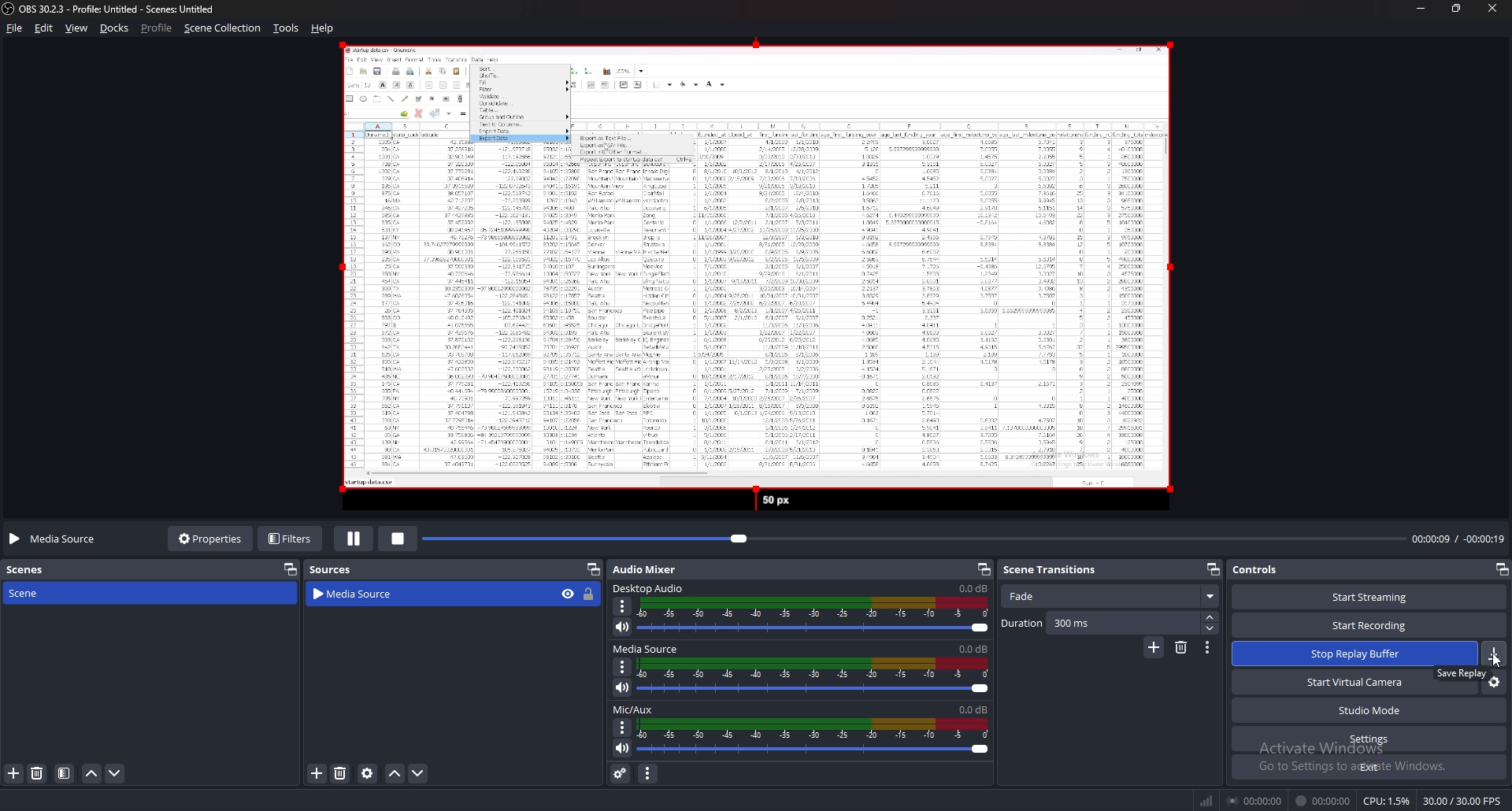 This screenshot has width=1512, height=811. I want to click on ‘OBS 30.2.3 - Profile: Untitled - Scenes: Untitled, so click(123, 9).